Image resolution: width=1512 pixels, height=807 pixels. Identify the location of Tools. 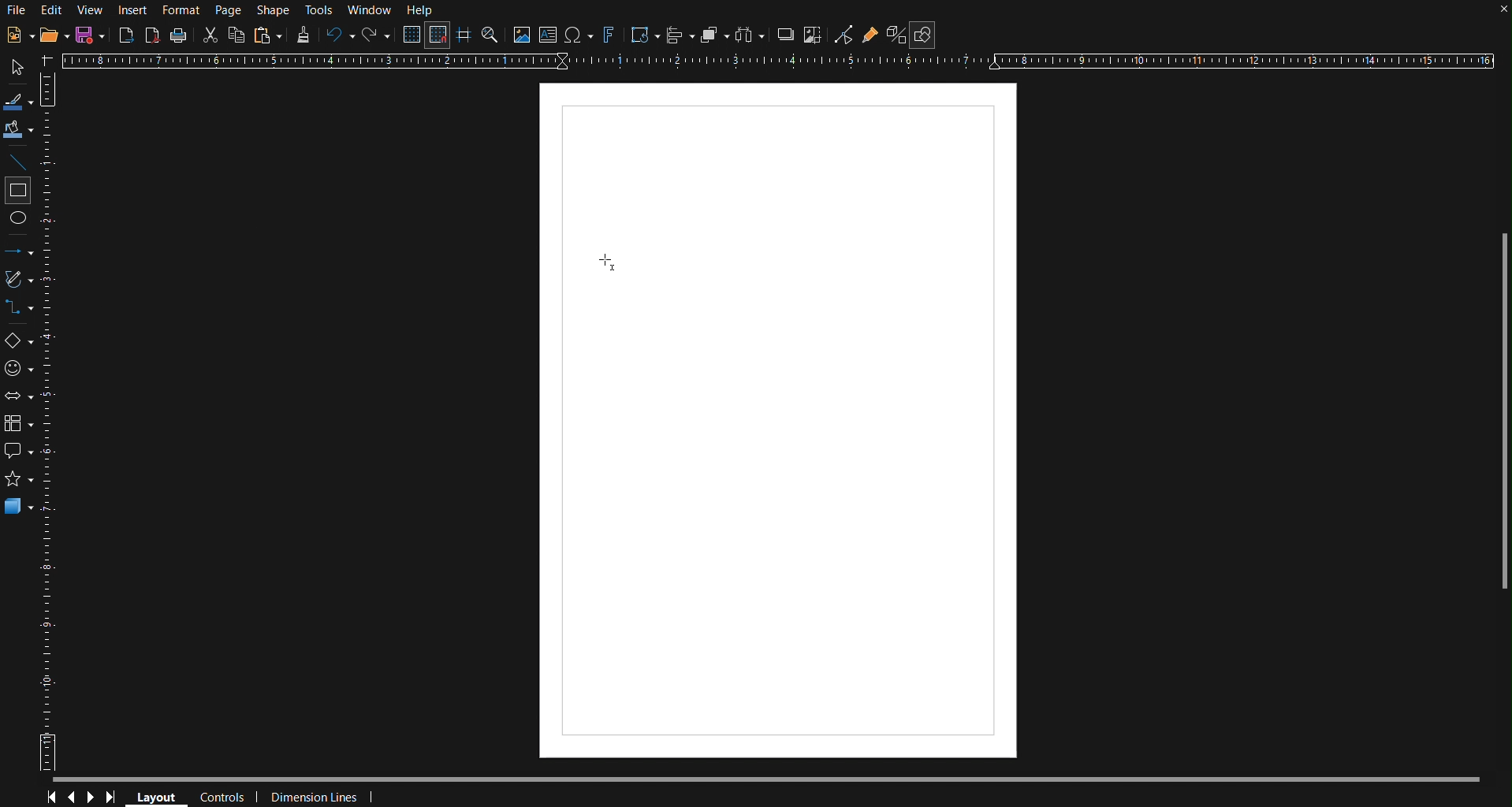
(321, 11).